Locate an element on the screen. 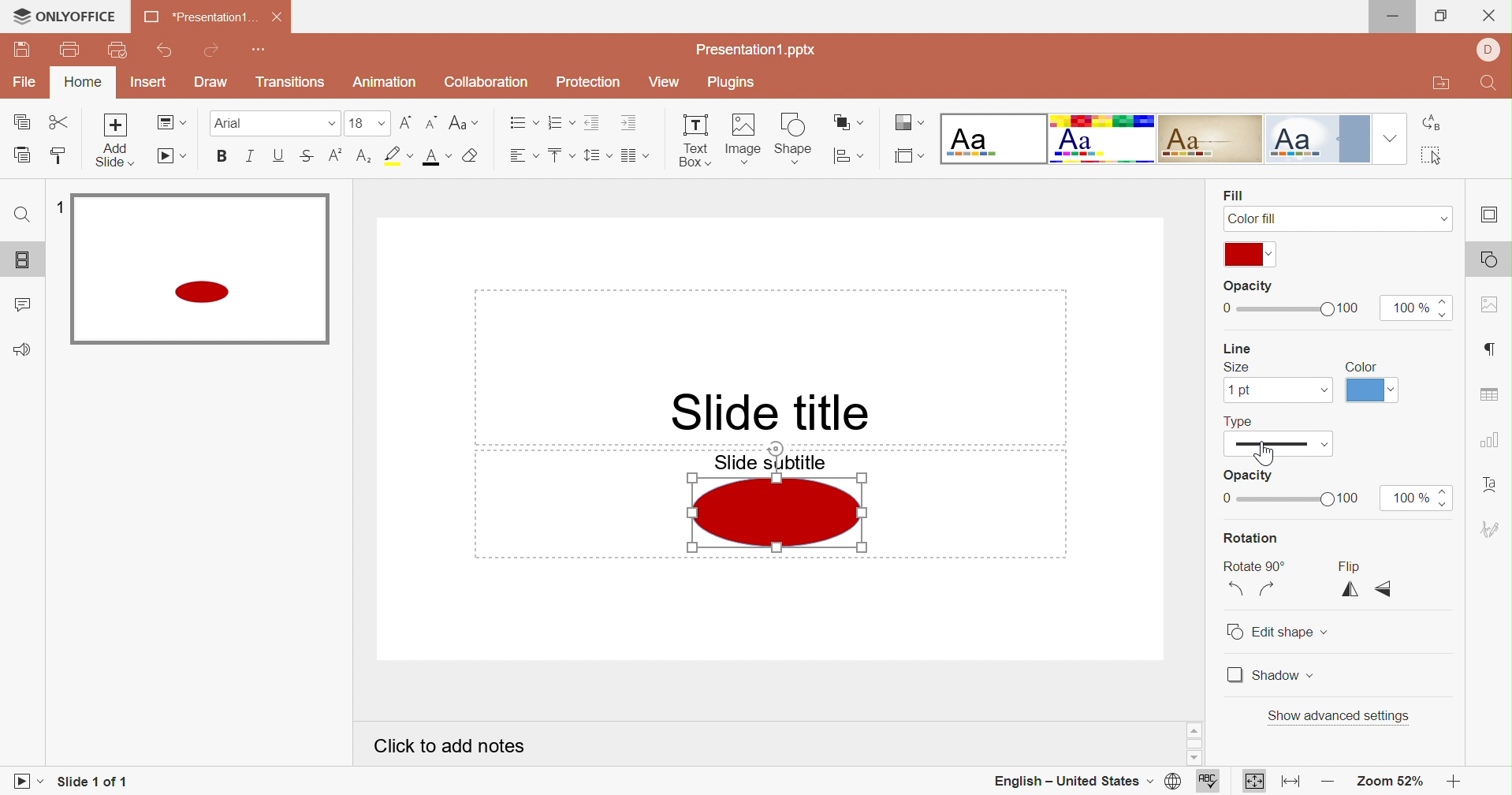 The width and height of the screenshot is (1512, 795). File is located at coordinates (24, 83).